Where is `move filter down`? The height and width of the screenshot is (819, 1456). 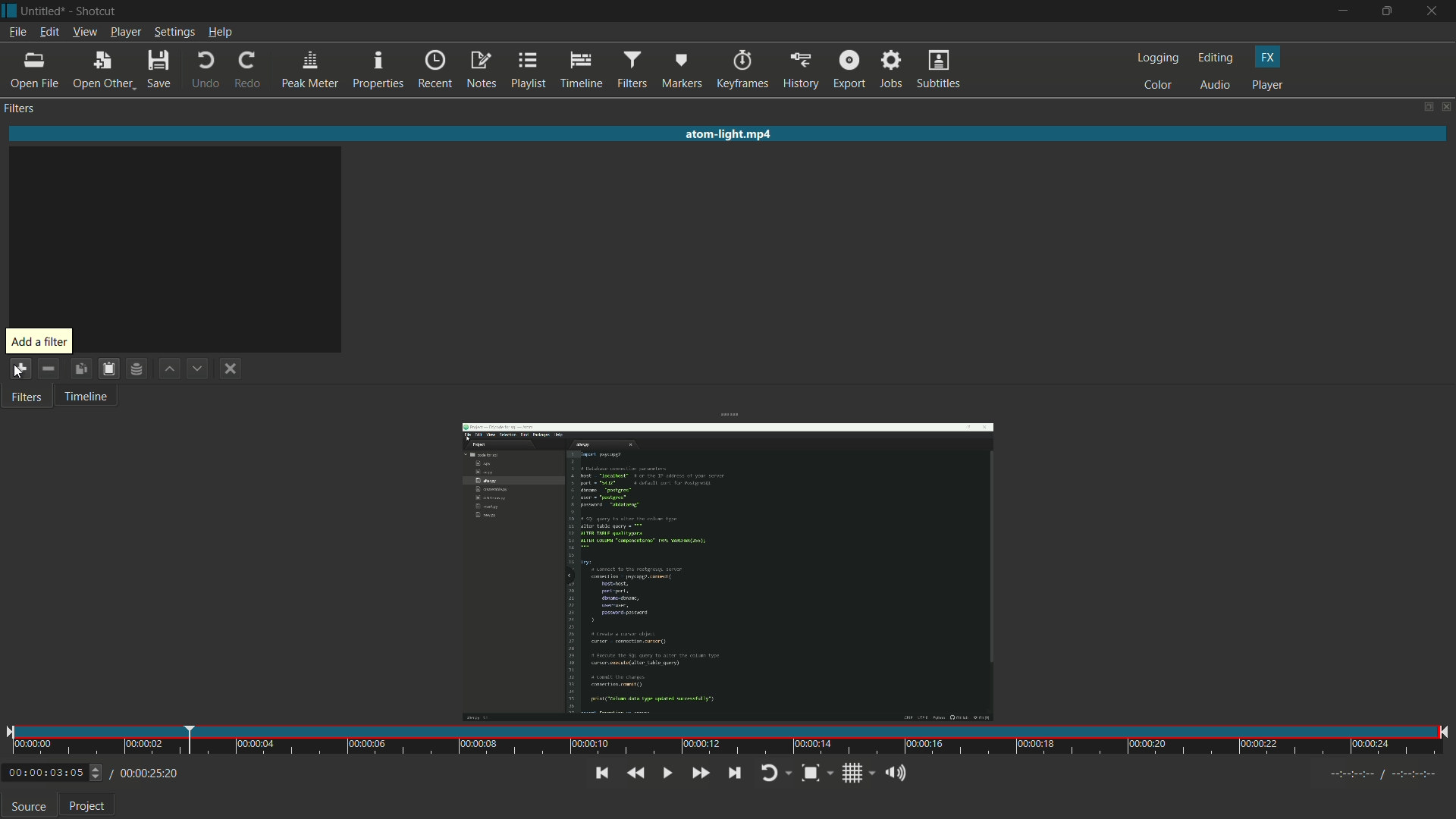 move filter down is located at coordinates (197, 369).